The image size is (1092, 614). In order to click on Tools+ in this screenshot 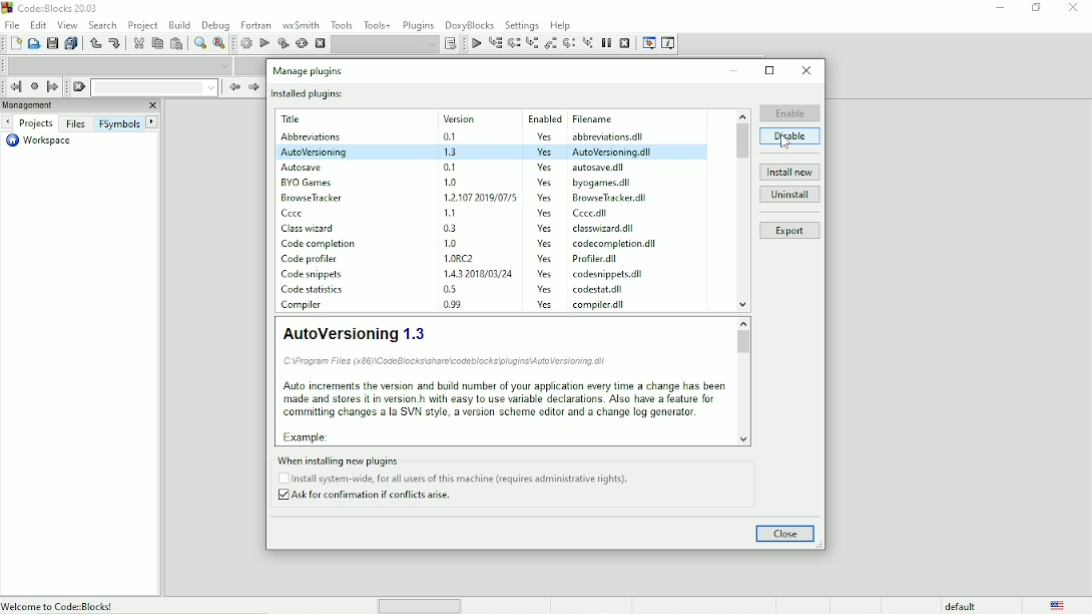, I will do `click(377, 24)`.